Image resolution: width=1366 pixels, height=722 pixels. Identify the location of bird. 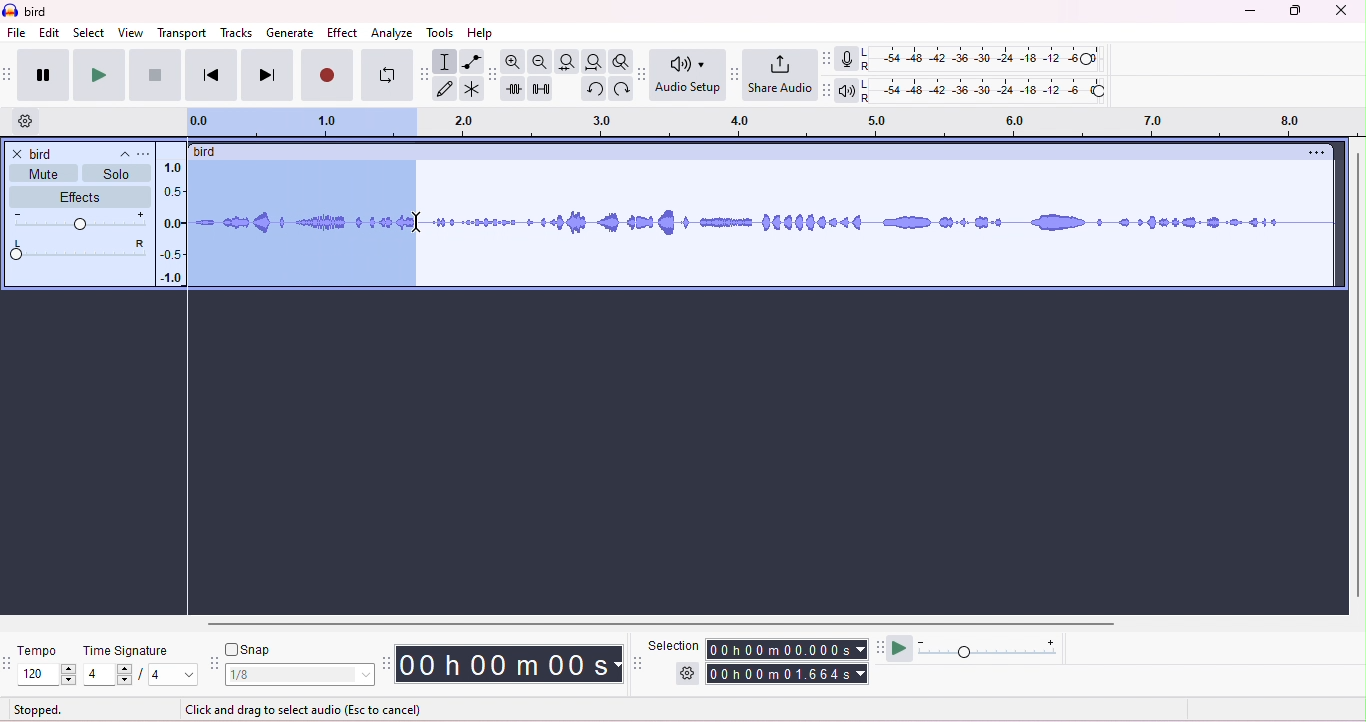
(38, 13).